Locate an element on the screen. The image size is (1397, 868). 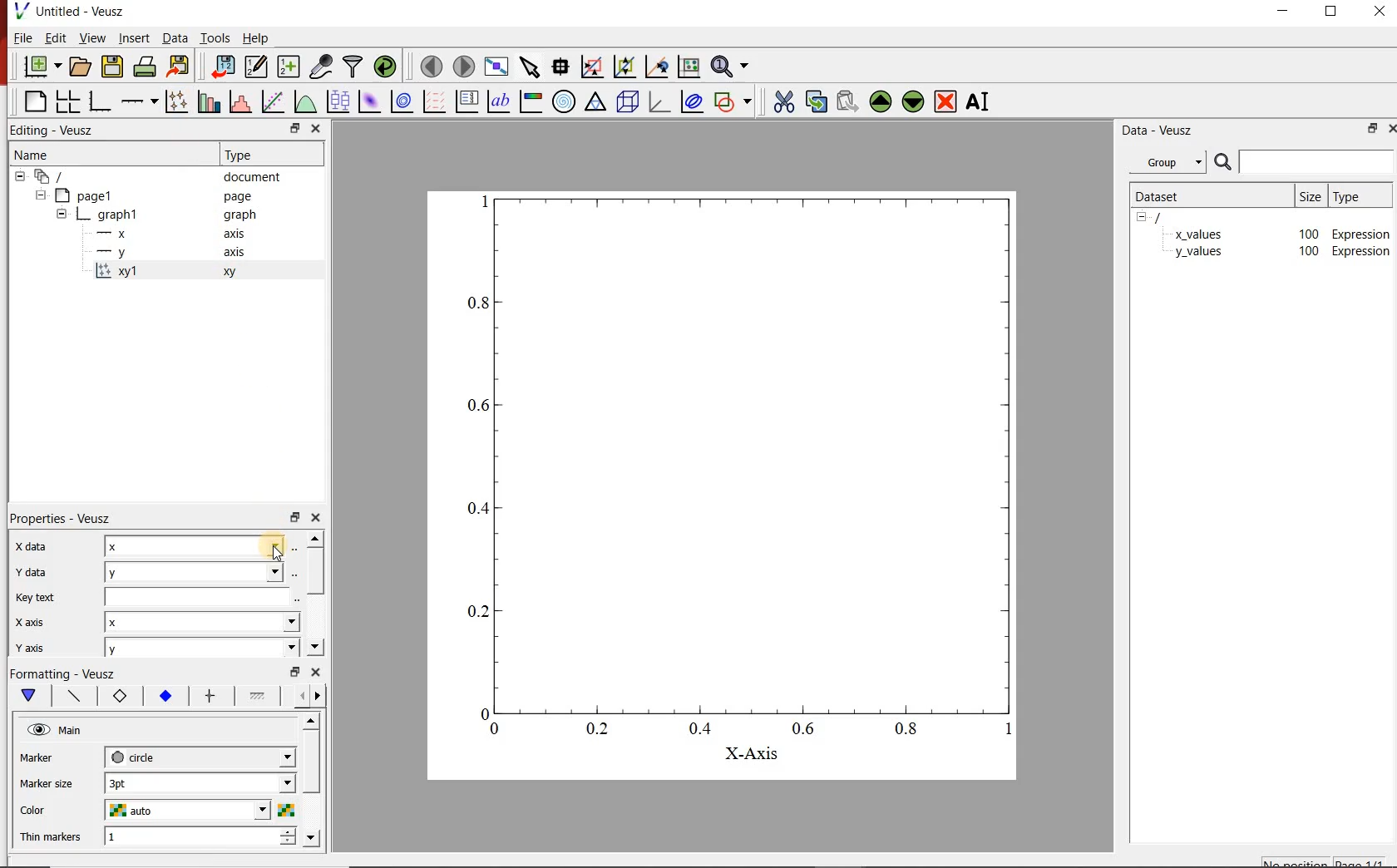
bar graph is located at coordinates (100, 103).